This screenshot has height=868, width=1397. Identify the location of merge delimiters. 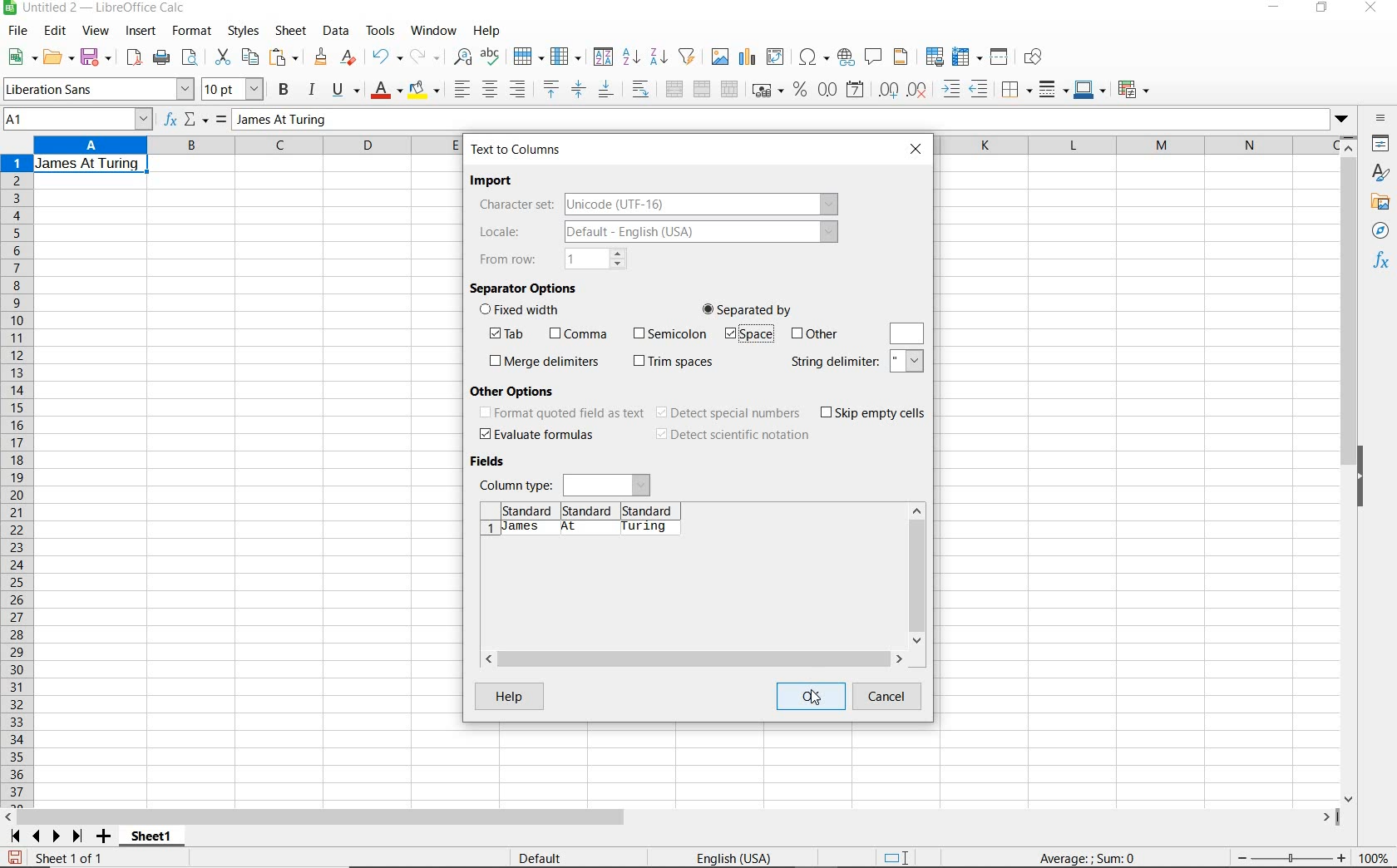
(544, 362).